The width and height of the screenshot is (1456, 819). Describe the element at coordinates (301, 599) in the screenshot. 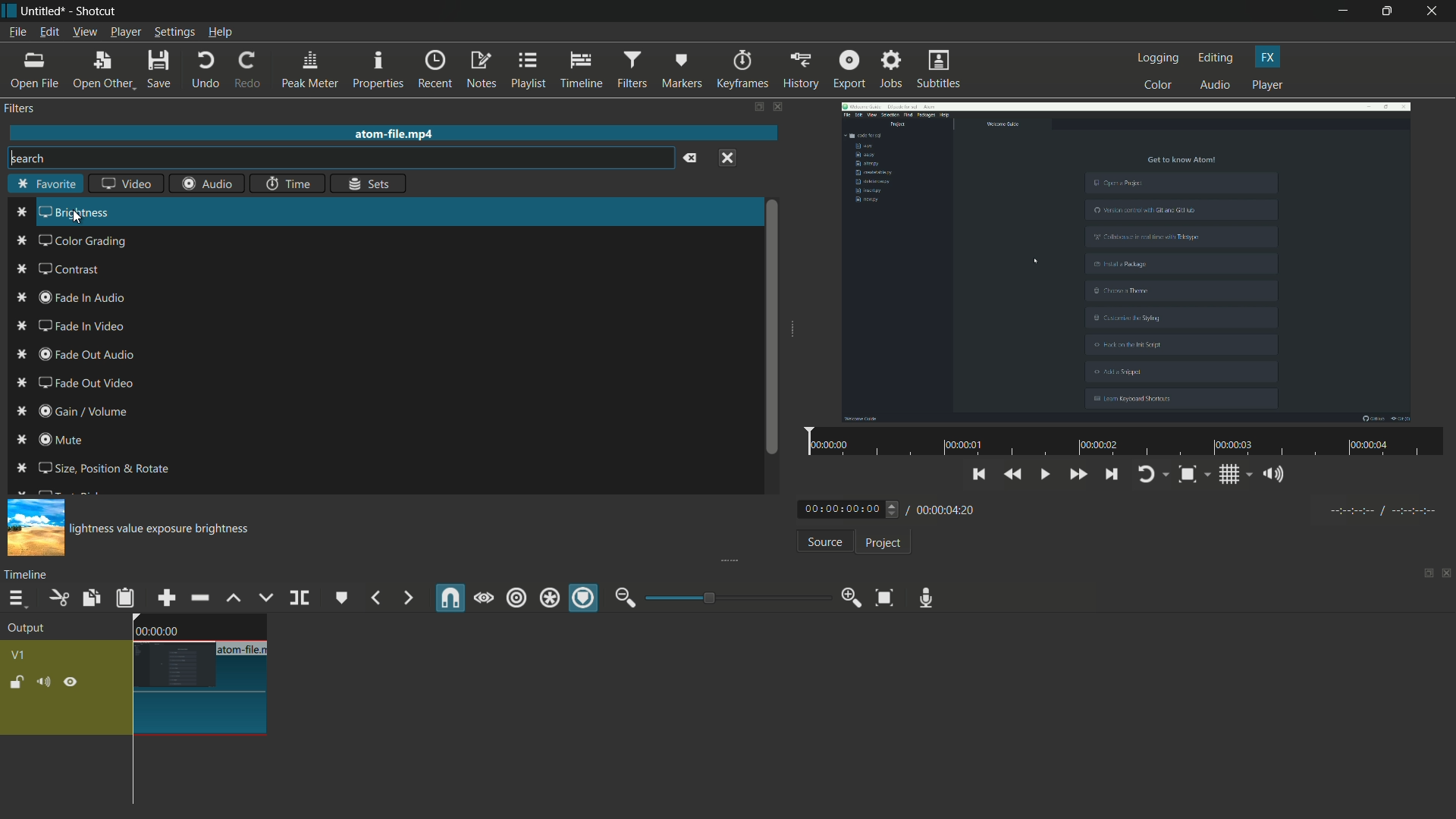

I see `split at playhead` at that location.